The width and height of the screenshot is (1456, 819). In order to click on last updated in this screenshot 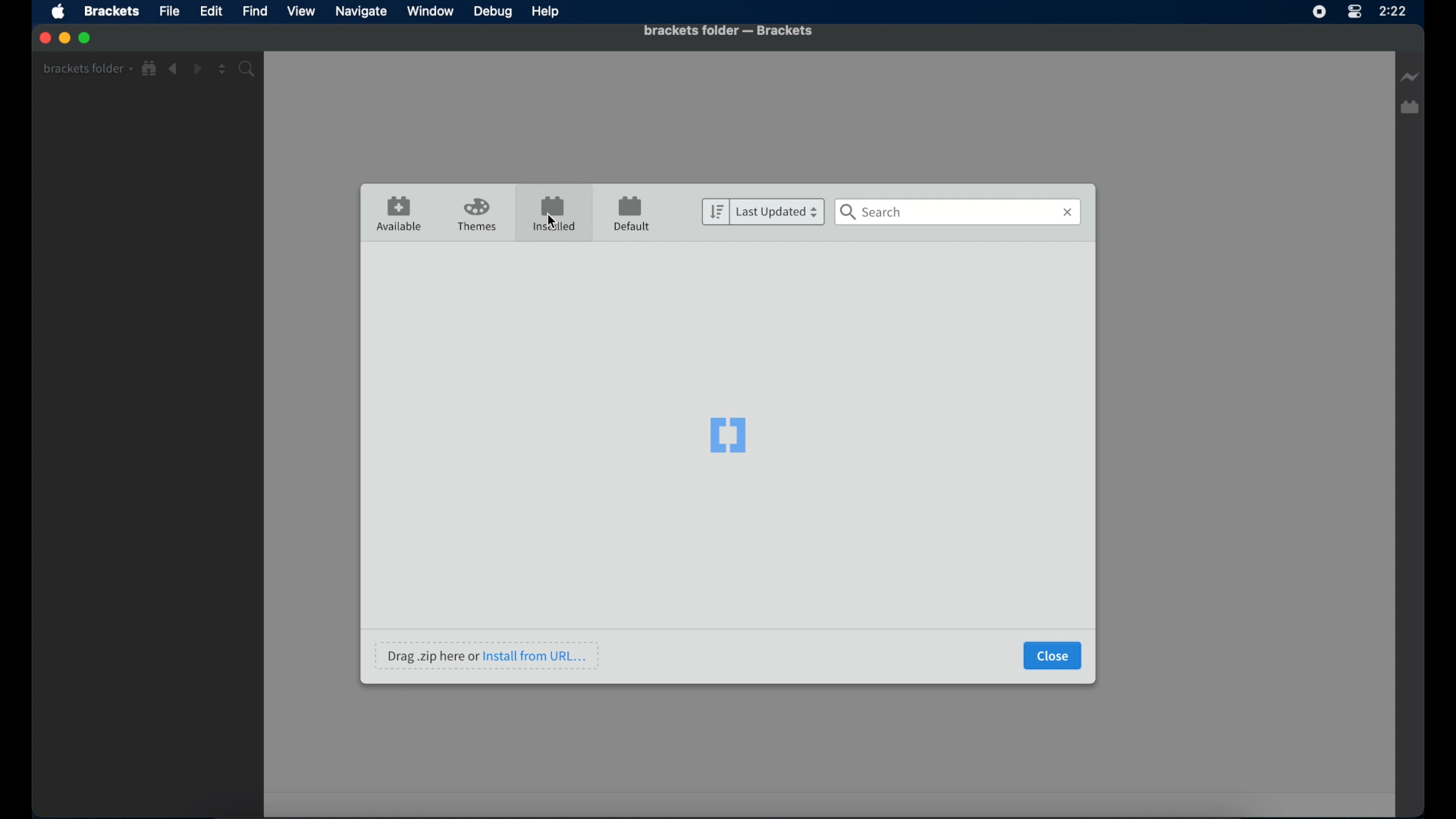, I will do `click(778, 212)`.